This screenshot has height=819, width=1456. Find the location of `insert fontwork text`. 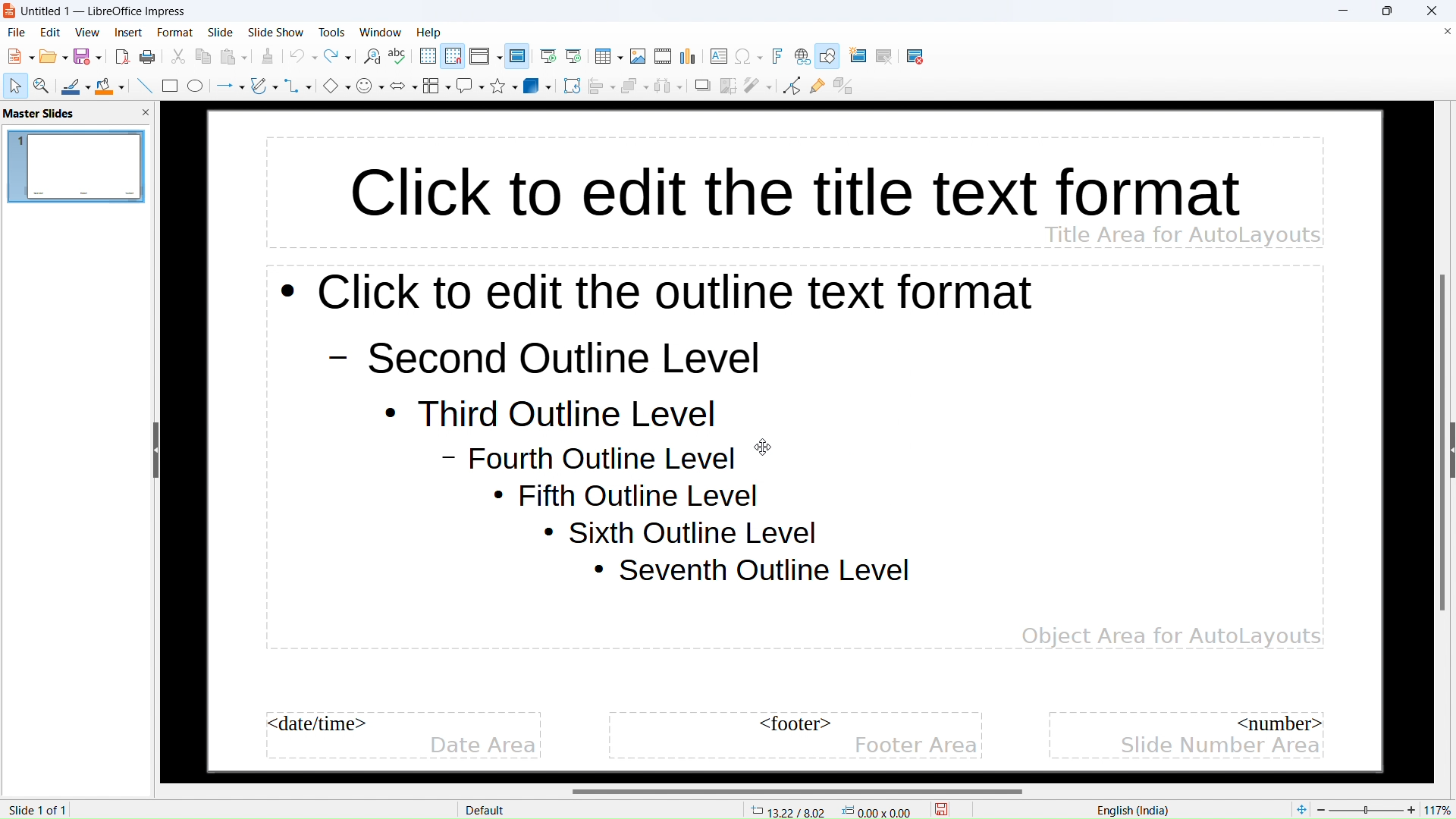

insert fontwork text is located at coordinates (777, 56).